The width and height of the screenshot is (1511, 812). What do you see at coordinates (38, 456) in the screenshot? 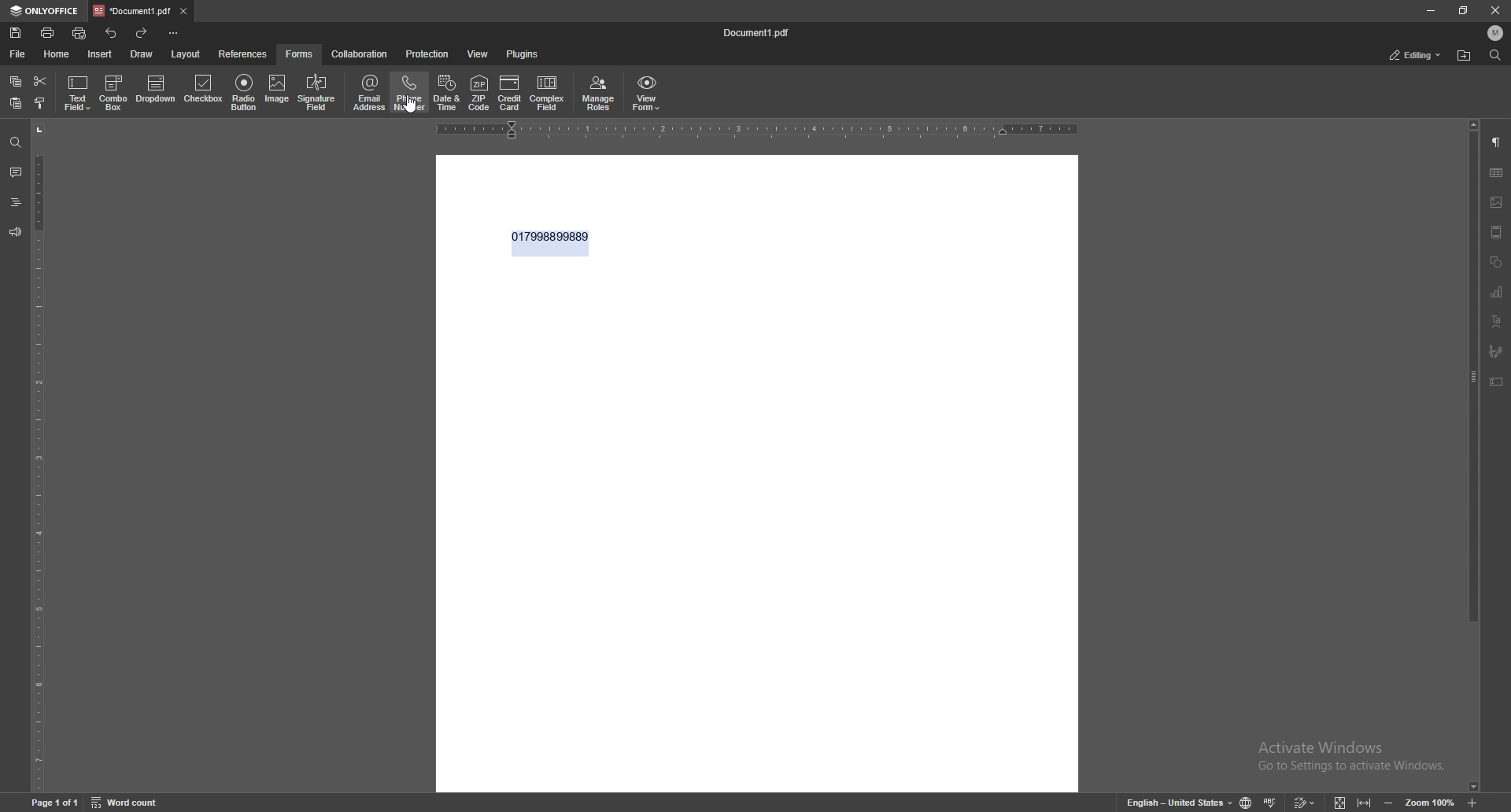
I see `vertical field` at bounding box center [38, 456].